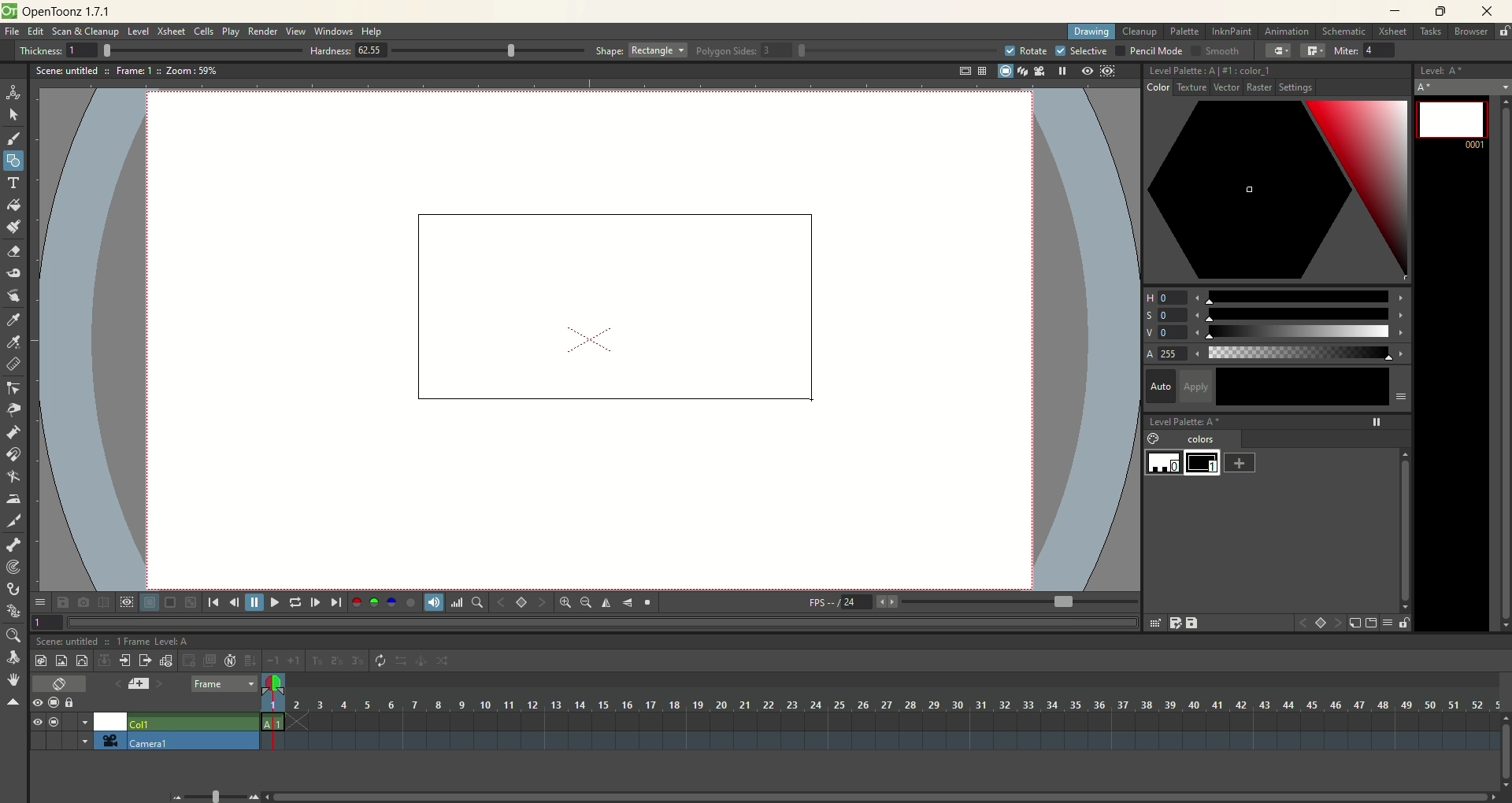  I want to click on fill tool, so click(13, 205).